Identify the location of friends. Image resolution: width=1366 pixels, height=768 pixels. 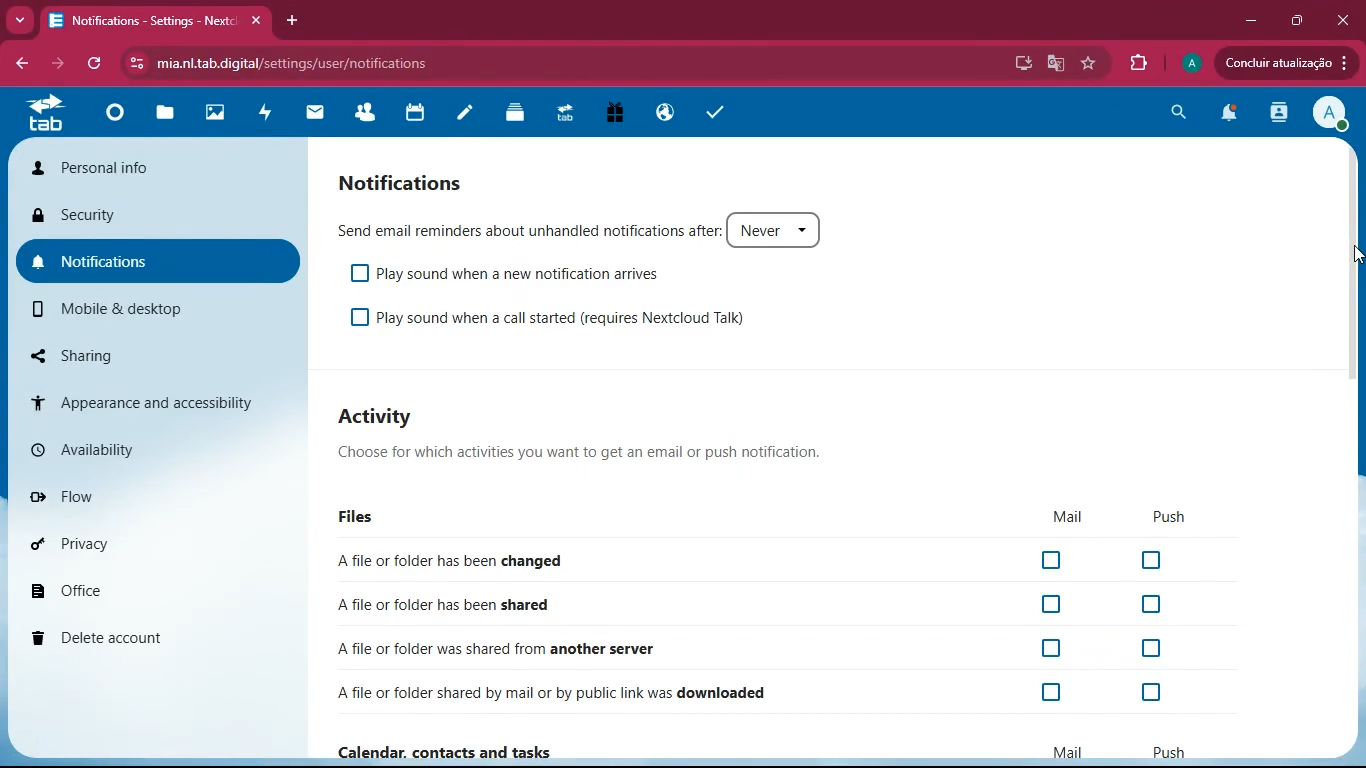
(371, 115).